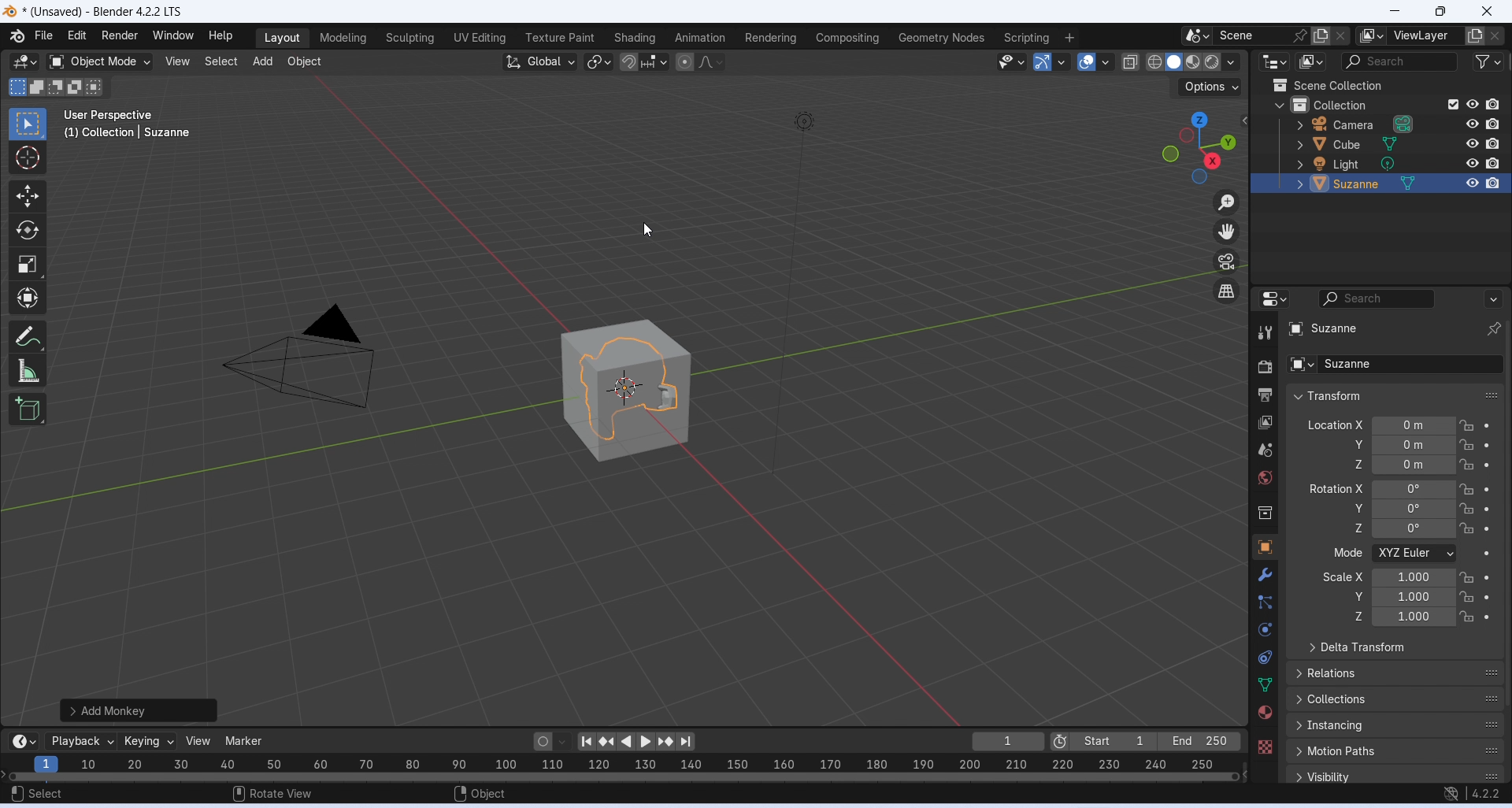 The image size is (1512, 808). Describe the element at coordinates (1473, 143) in the screenshot. I see `hide in viewport` at that location.